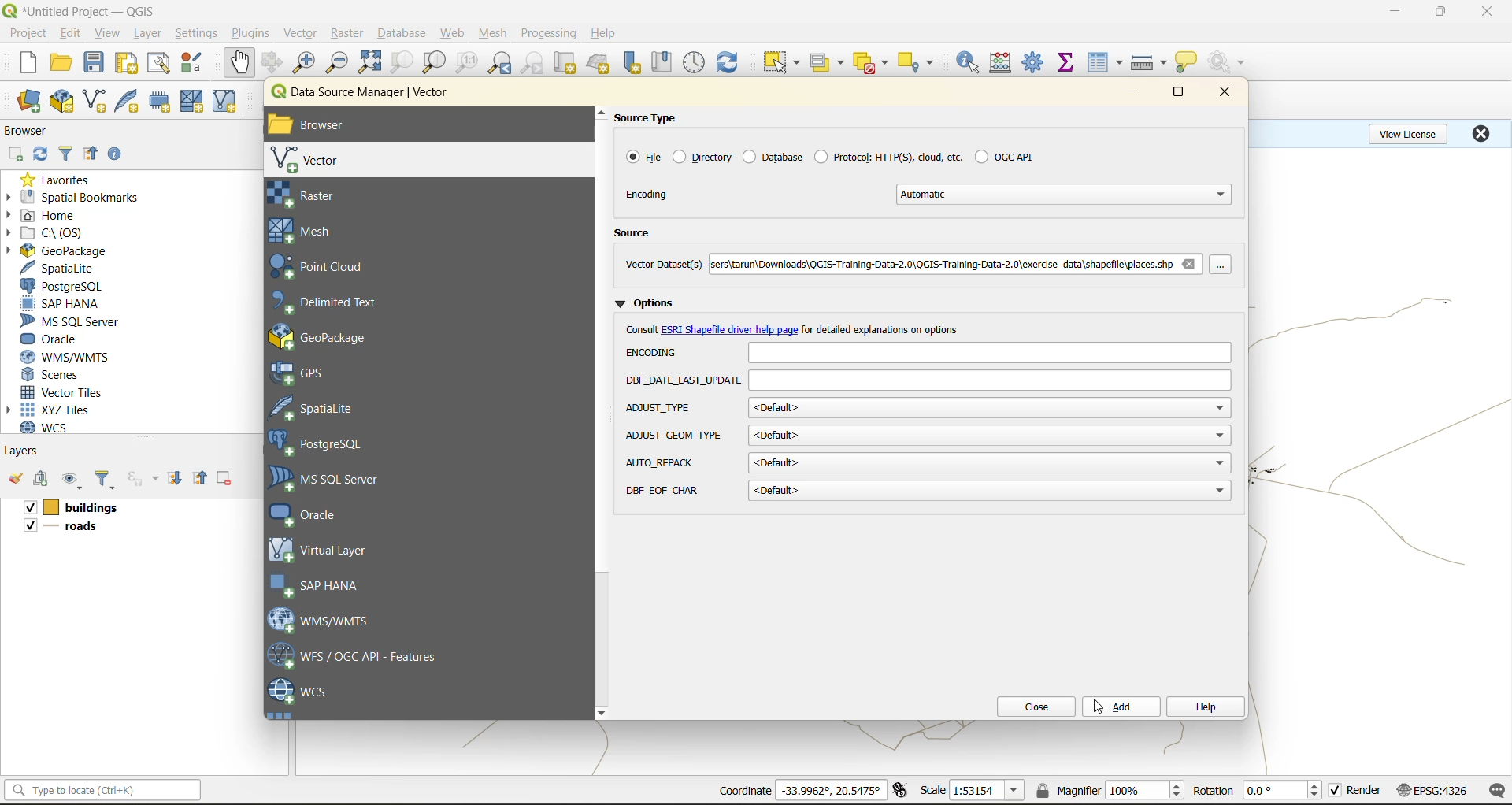 The image size is (1512, 805). What do you see at coordinates (23, 450) in the screenshot?
I see `layers` at bounding box center [23, 450].